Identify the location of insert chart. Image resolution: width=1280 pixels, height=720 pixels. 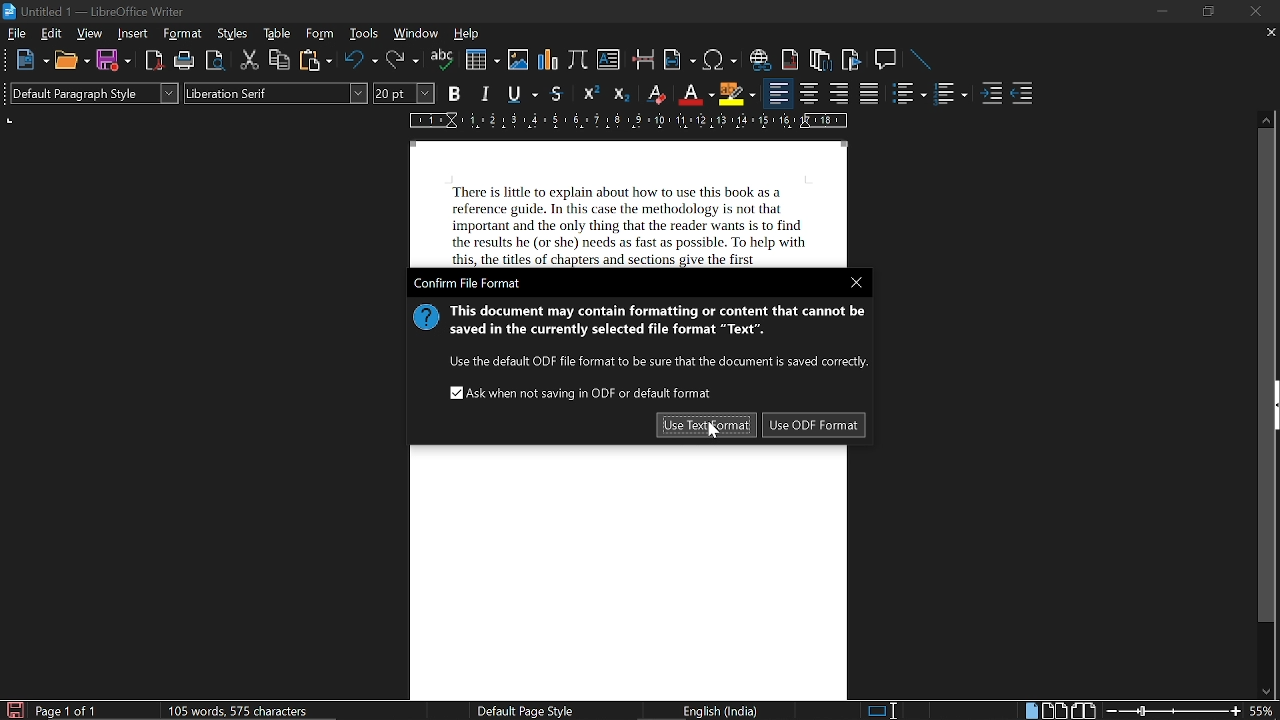
(481, 59).